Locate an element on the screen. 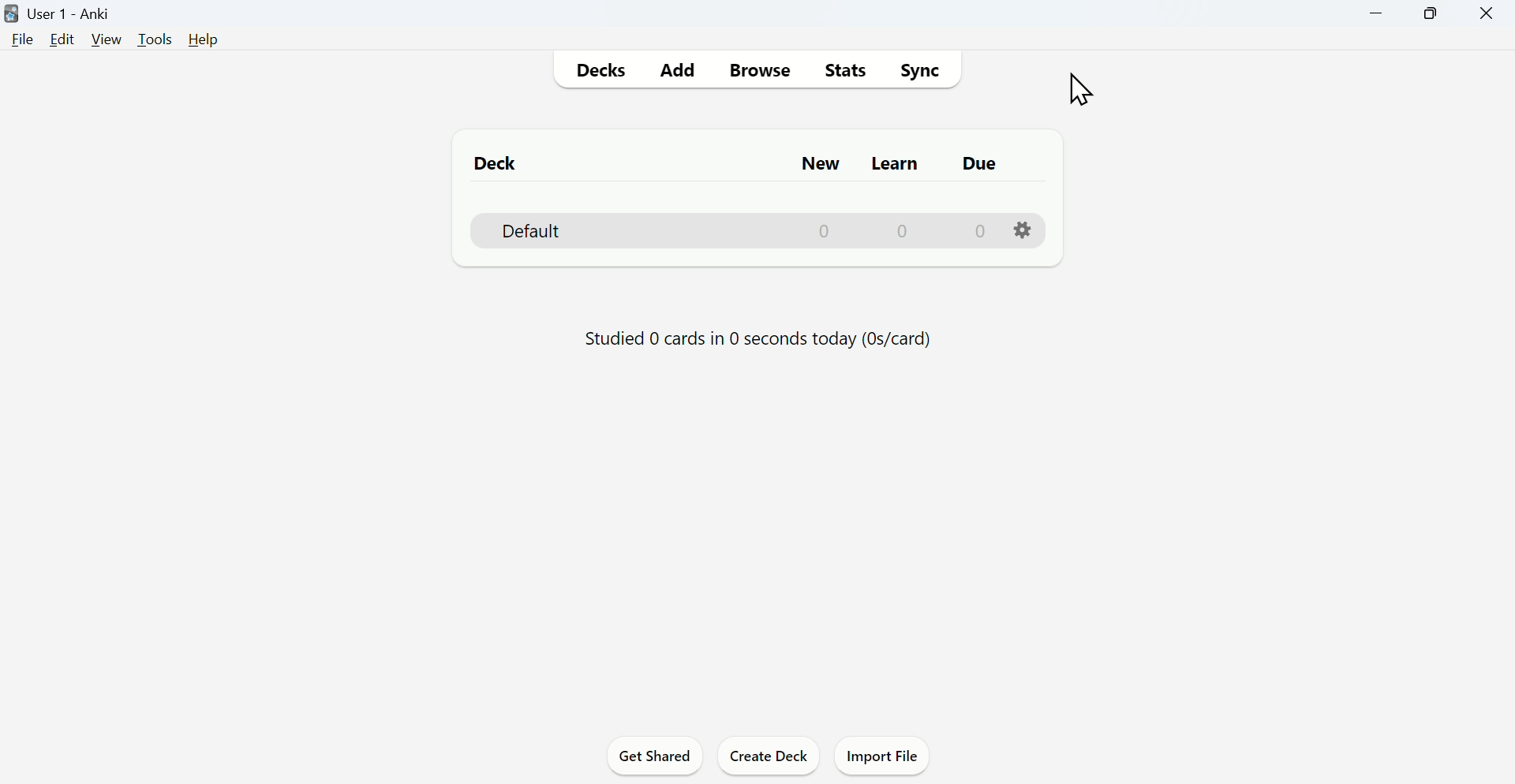 The height and width of the screenshot is (784, 1515). New is located at coordinates (818, 164).